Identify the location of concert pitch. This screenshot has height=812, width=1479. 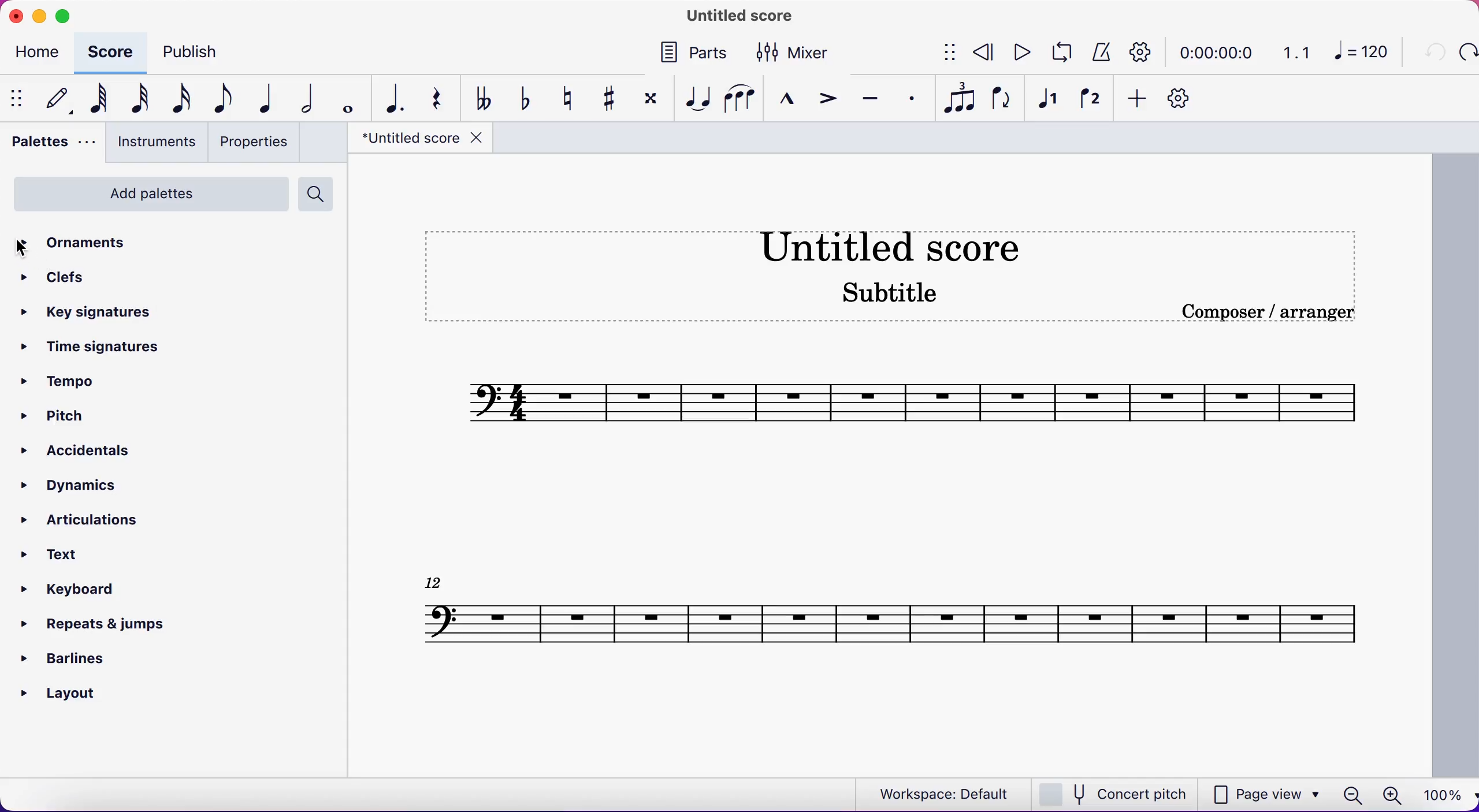
(1116, 793).